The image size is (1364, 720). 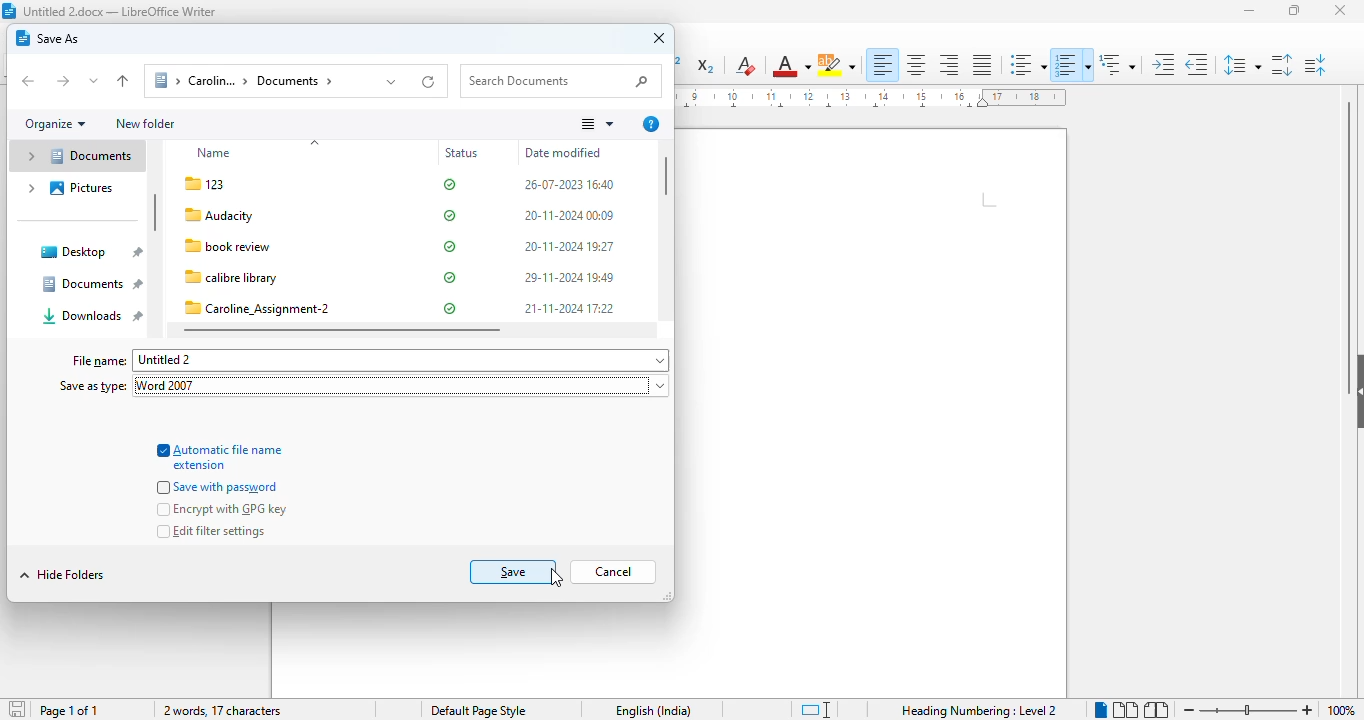 What do you see at coordinates (220, 487) in the screenshot?
I see `save with password` at bounding box center [220, 487].